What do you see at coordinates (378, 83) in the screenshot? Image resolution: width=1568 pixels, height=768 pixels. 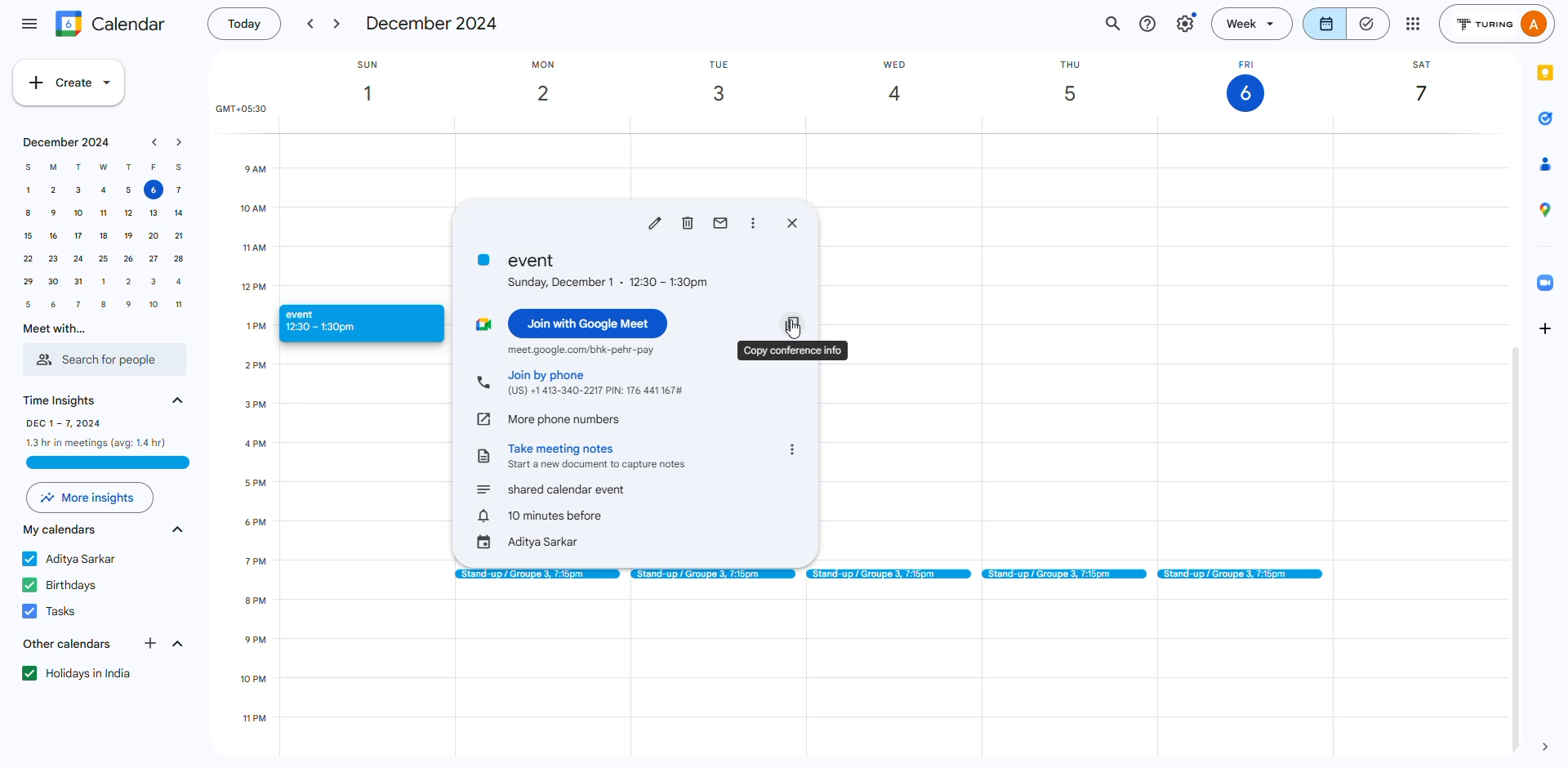 I see `sun 1` at bounding box center [378, 83].